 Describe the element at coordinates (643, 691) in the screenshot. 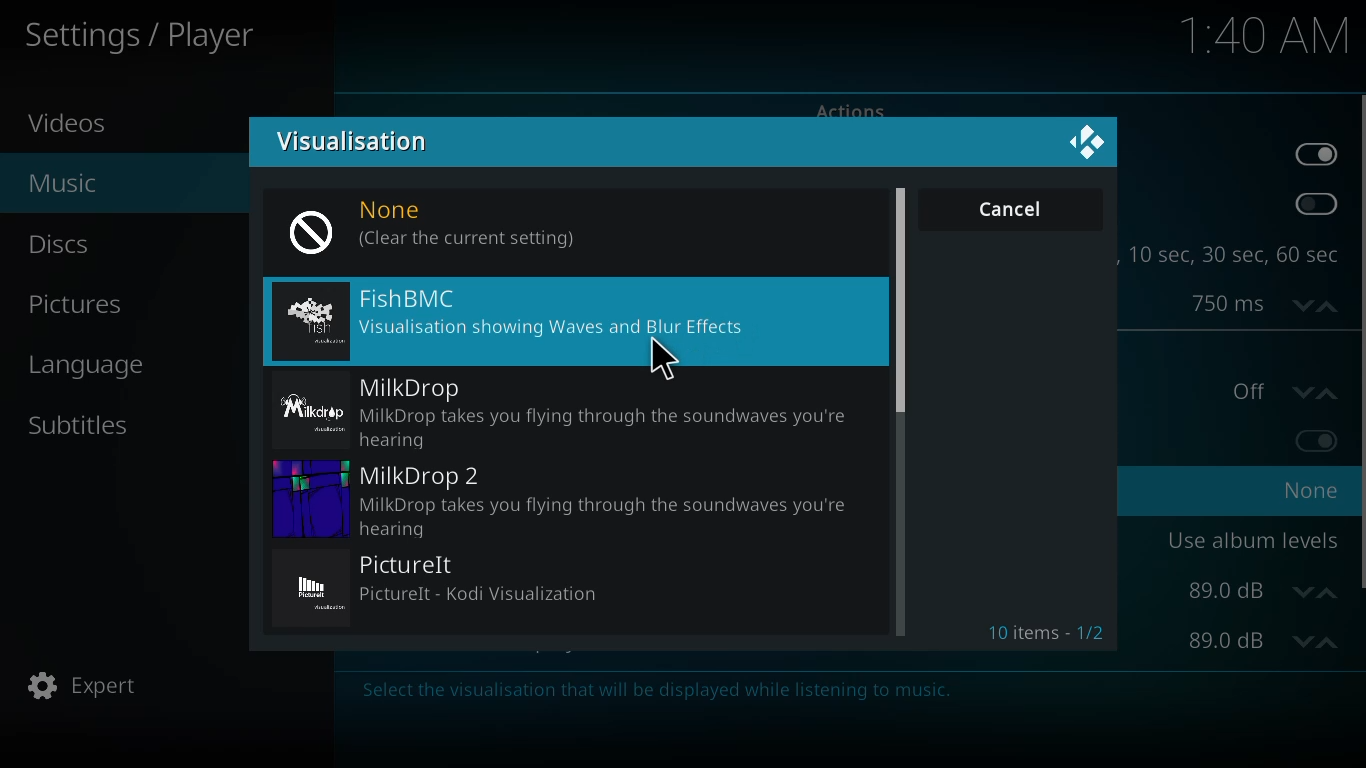

I see `info` at that location.